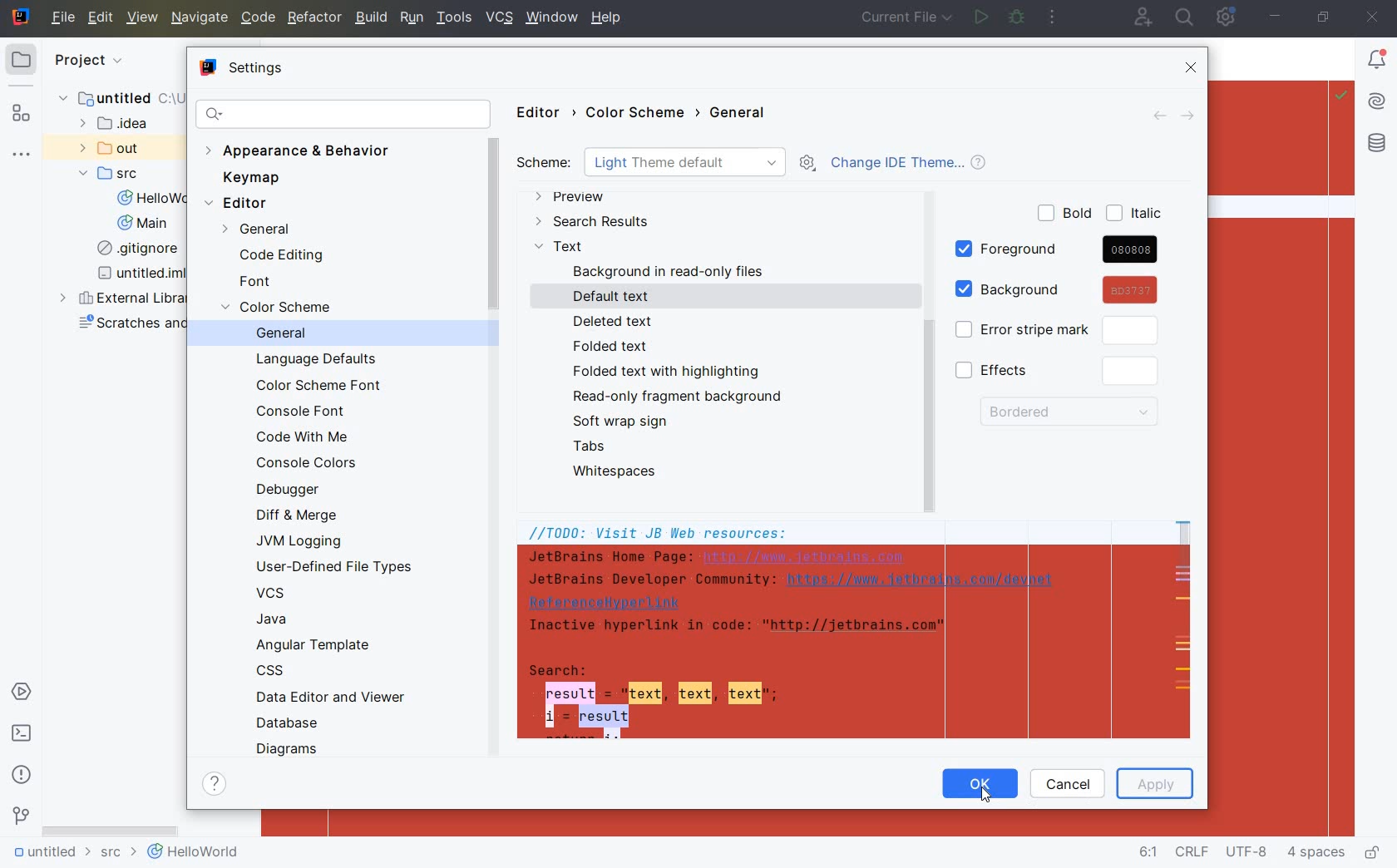  Describe the element at coordinates (23, 113) in the screenshot. I see `structure` at that location.